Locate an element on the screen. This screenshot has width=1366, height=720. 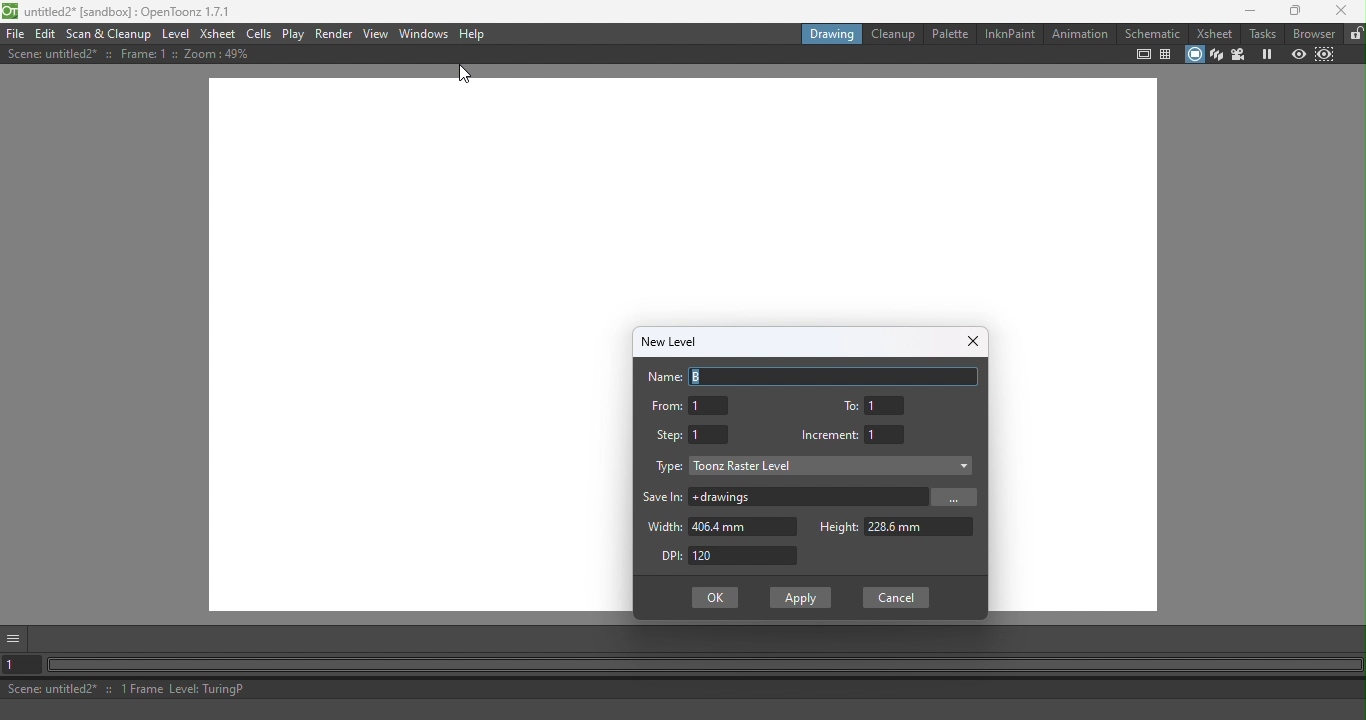
Maximize is located at coordinates (1291, 12).